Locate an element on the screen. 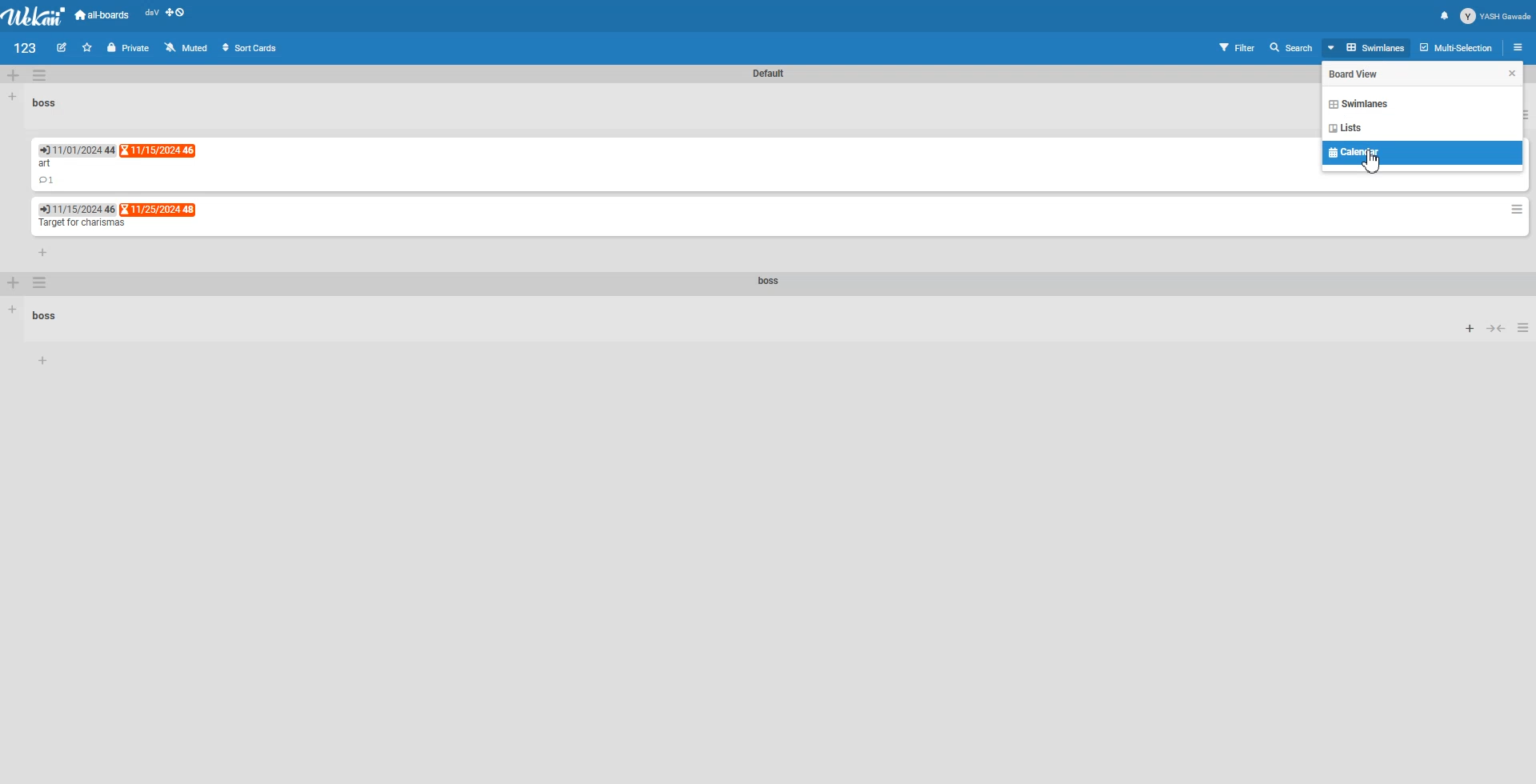  Search is located at coordinates (1293, 47).